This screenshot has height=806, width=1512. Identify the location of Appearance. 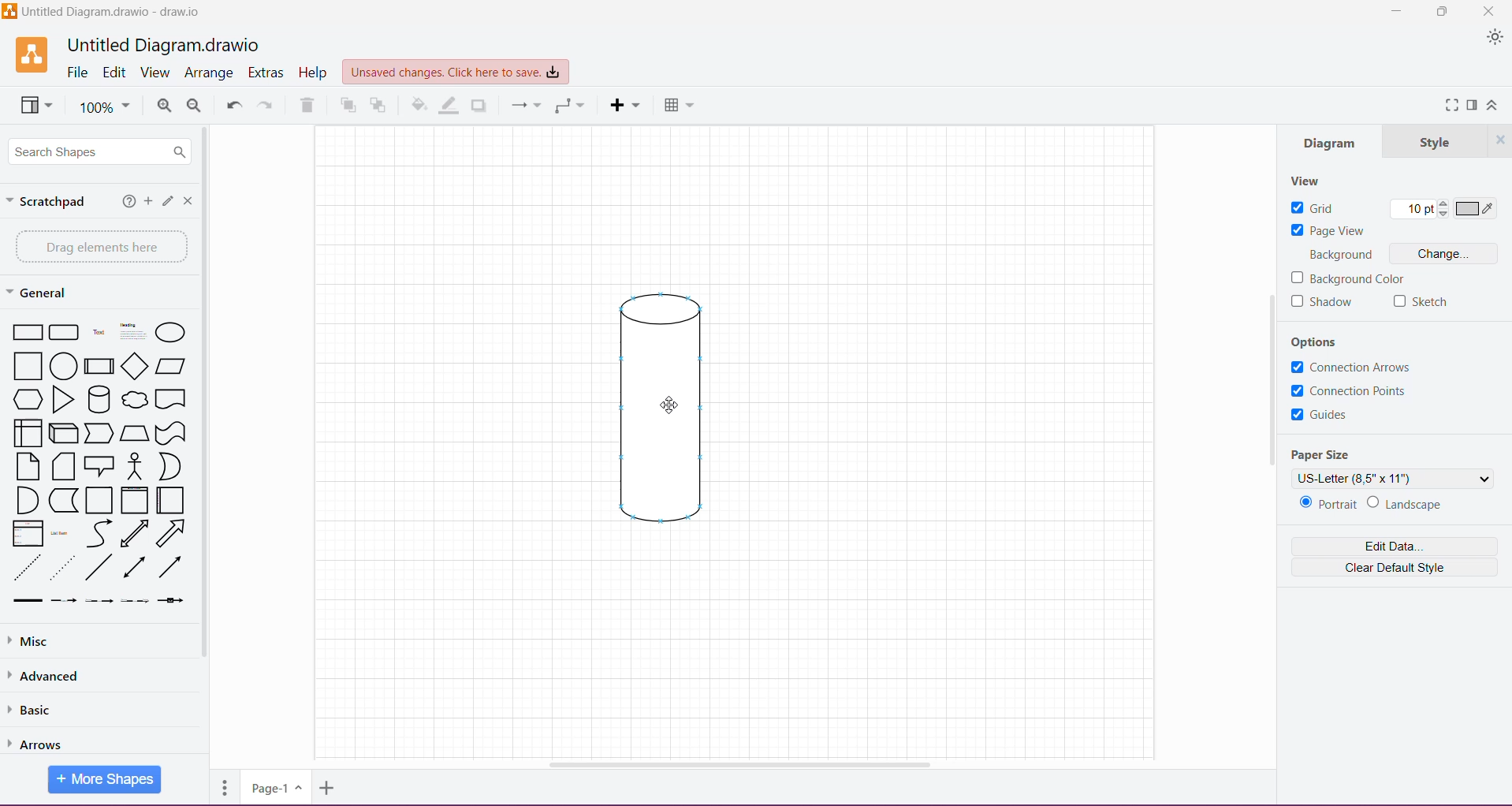
(1492, 37).